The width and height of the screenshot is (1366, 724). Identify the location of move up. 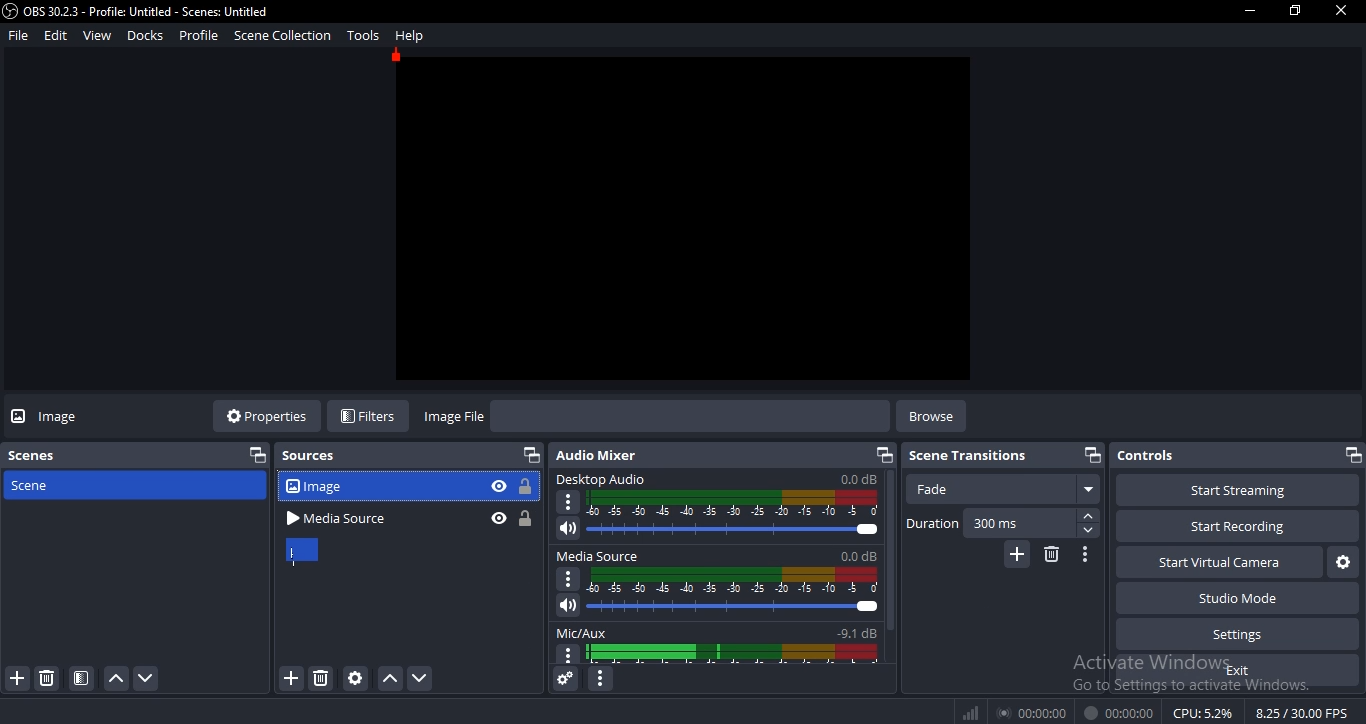
(112, 680).